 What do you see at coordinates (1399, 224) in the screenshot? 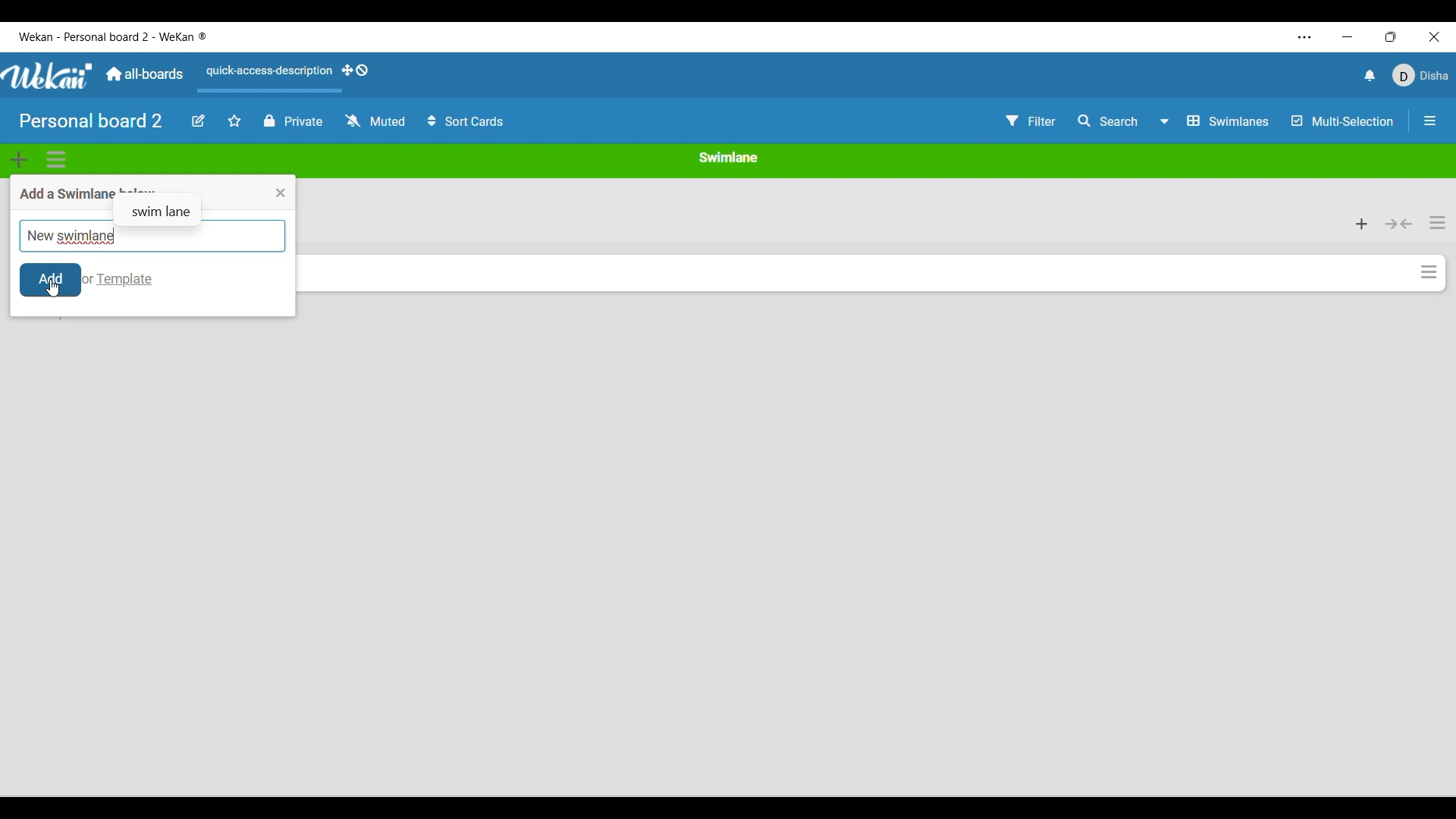
I see `Collapse` at bounding box center [1399, 224].